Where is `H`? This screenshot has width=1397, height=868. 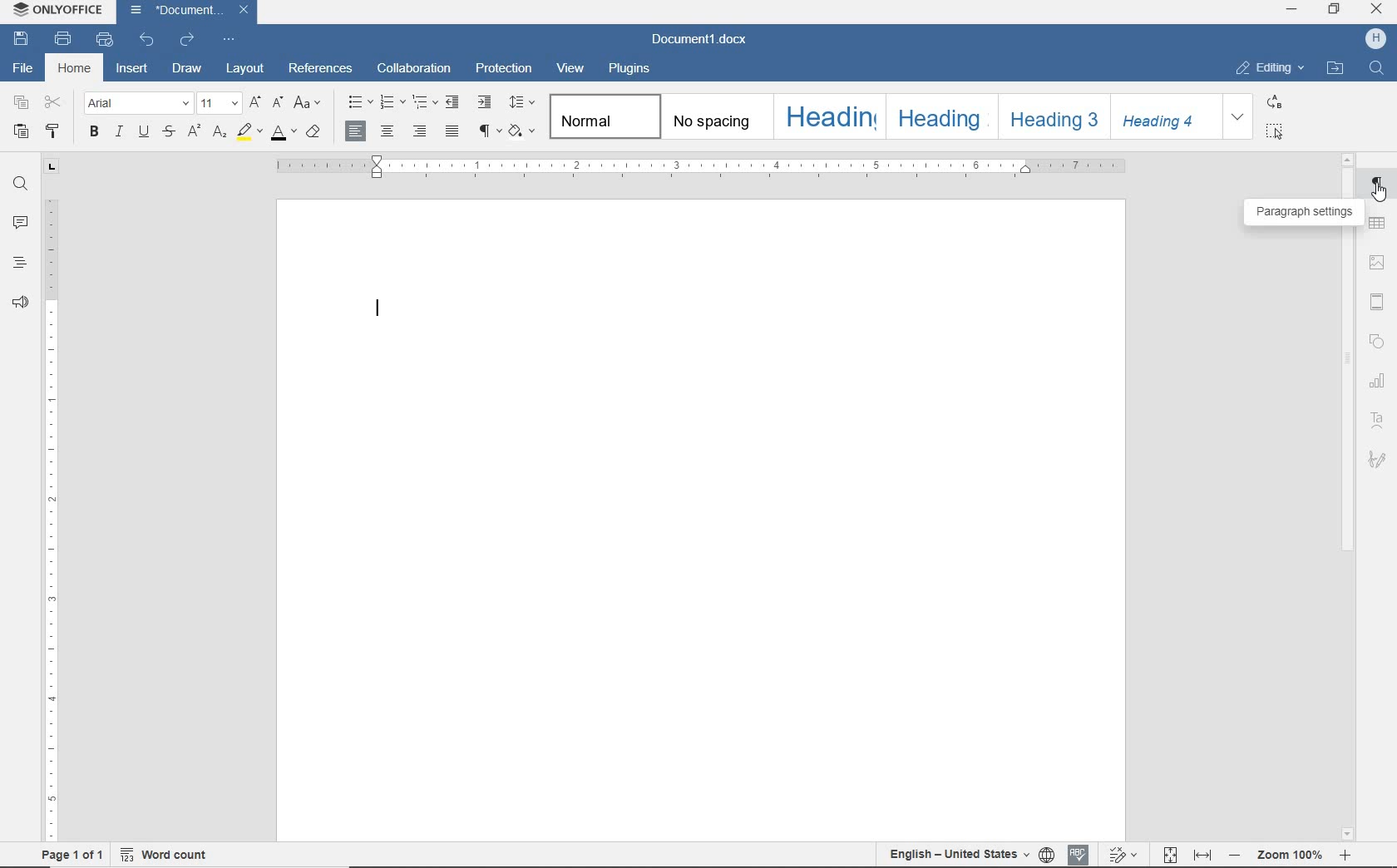 H is located at coordinates (1378, 39).